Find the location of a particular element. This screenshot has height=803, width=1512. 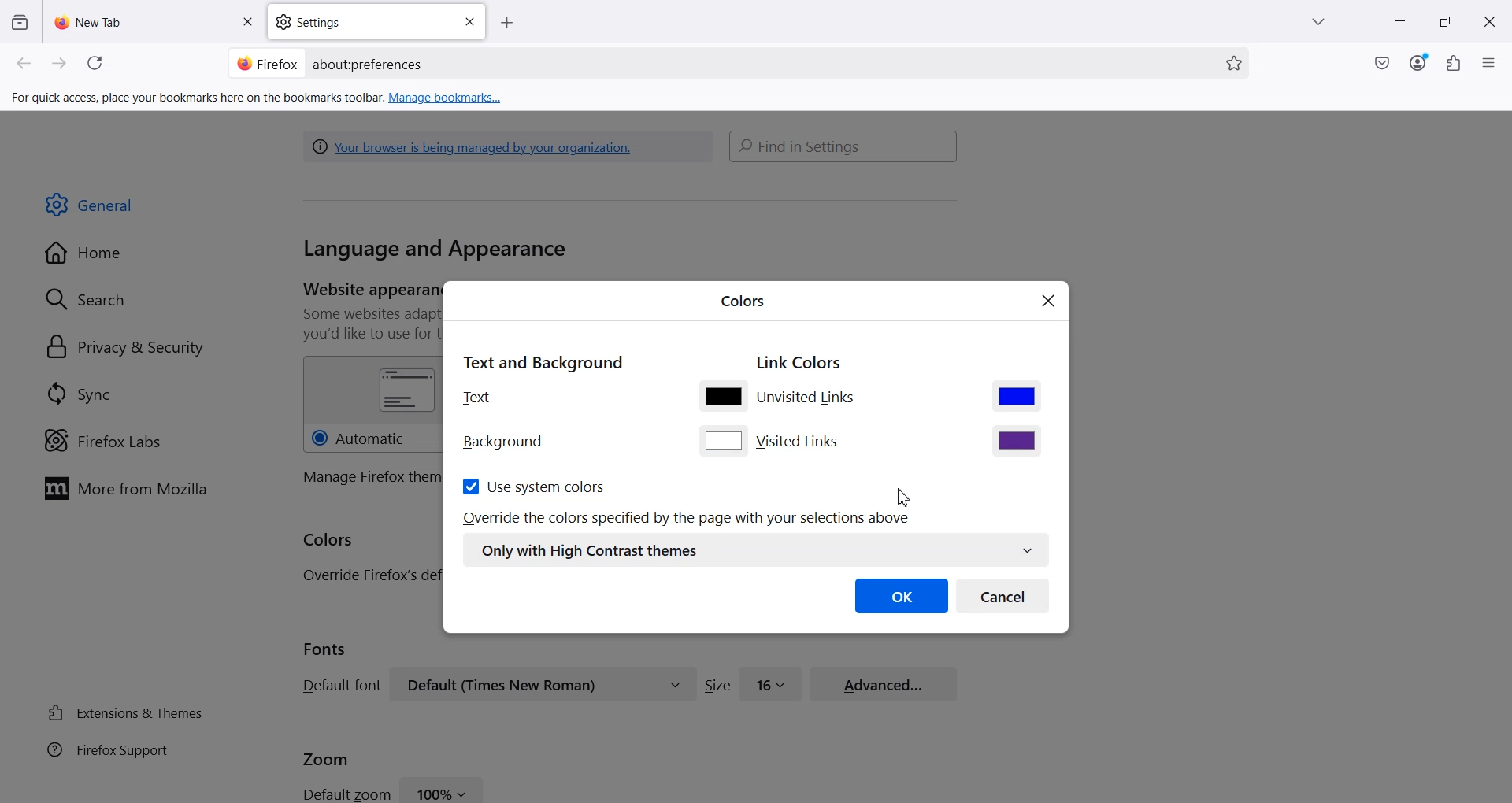

Maximize is located at coordinates (1445, 22).